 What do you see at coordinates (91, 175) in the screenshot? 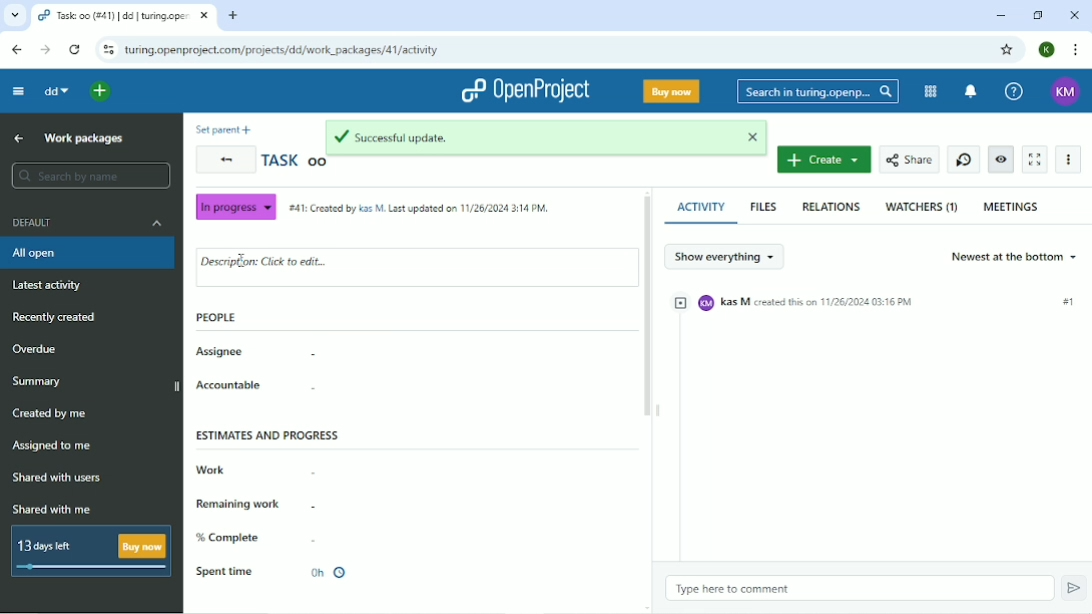
I see `Search by name` at bounding box center [91, 175].